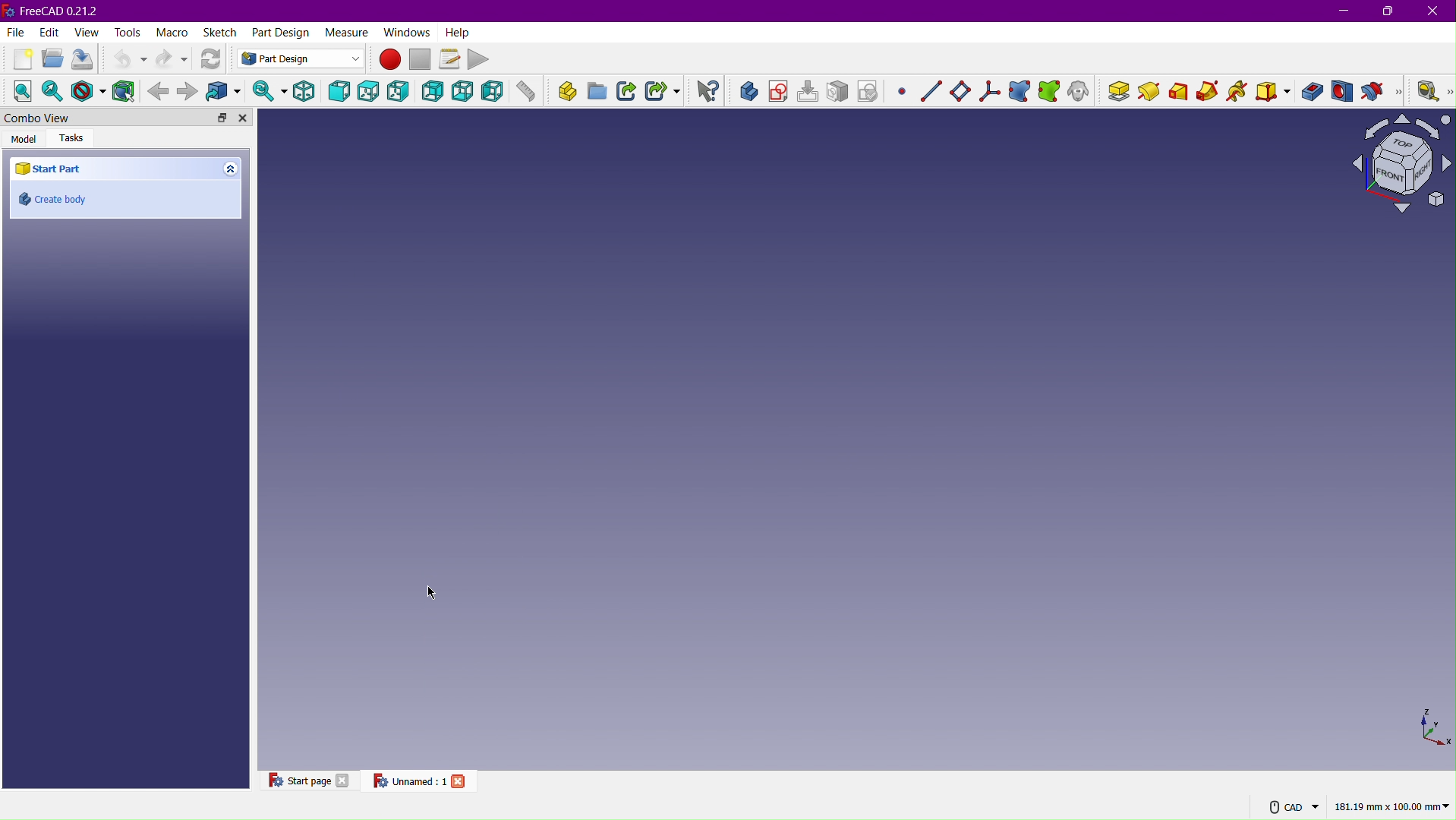 This screenshot has width=1456, height=820. What do you see at coordinates (55, 59) in the screenshot?
I see `Open` at bounding box center [55, 59].